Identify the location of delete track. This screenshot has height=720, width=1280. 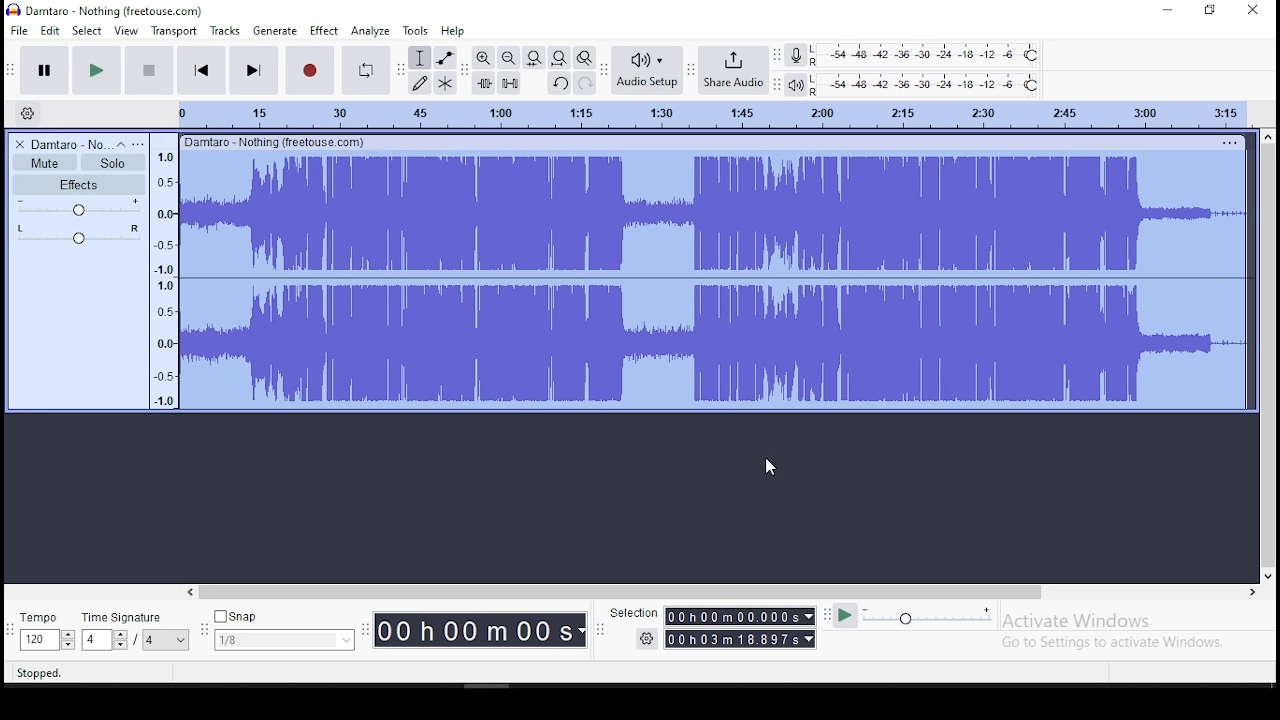
(16, 144).